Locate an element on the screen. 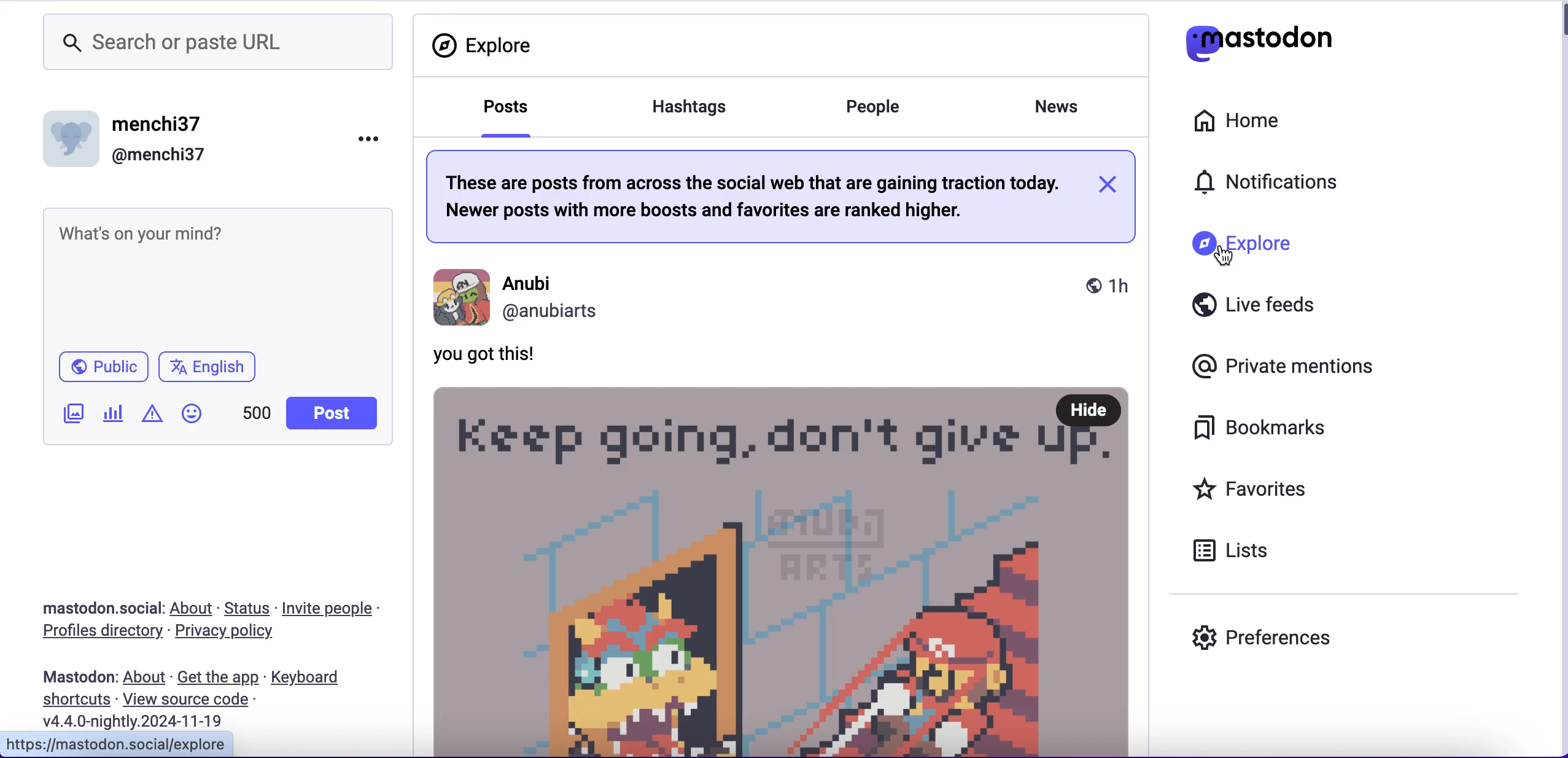 The width and height of the screenshot is (1568, 758). status is located at coordinates (247, 609).